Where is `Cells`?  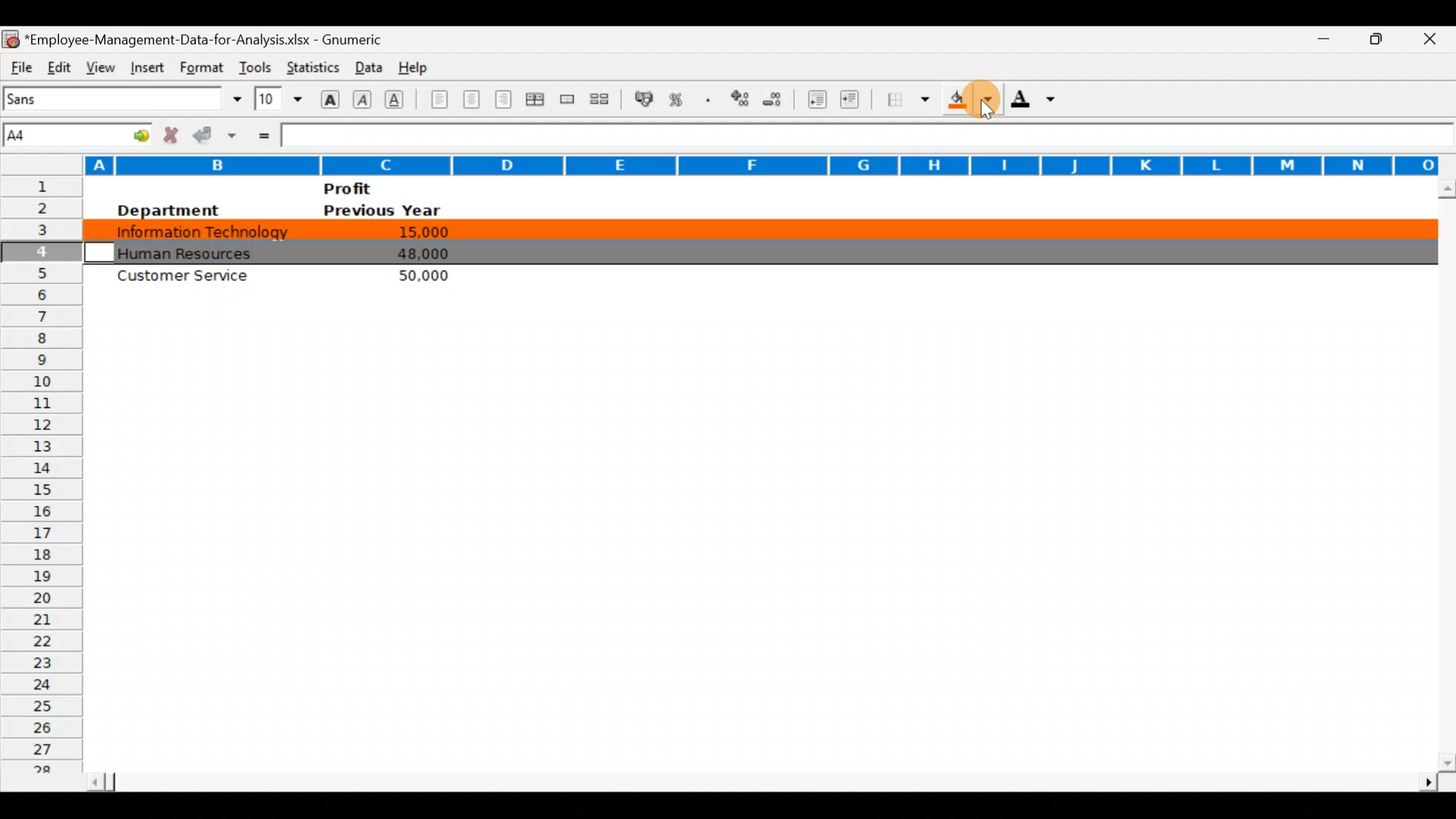
Cells is located at coordinates (752, 537).